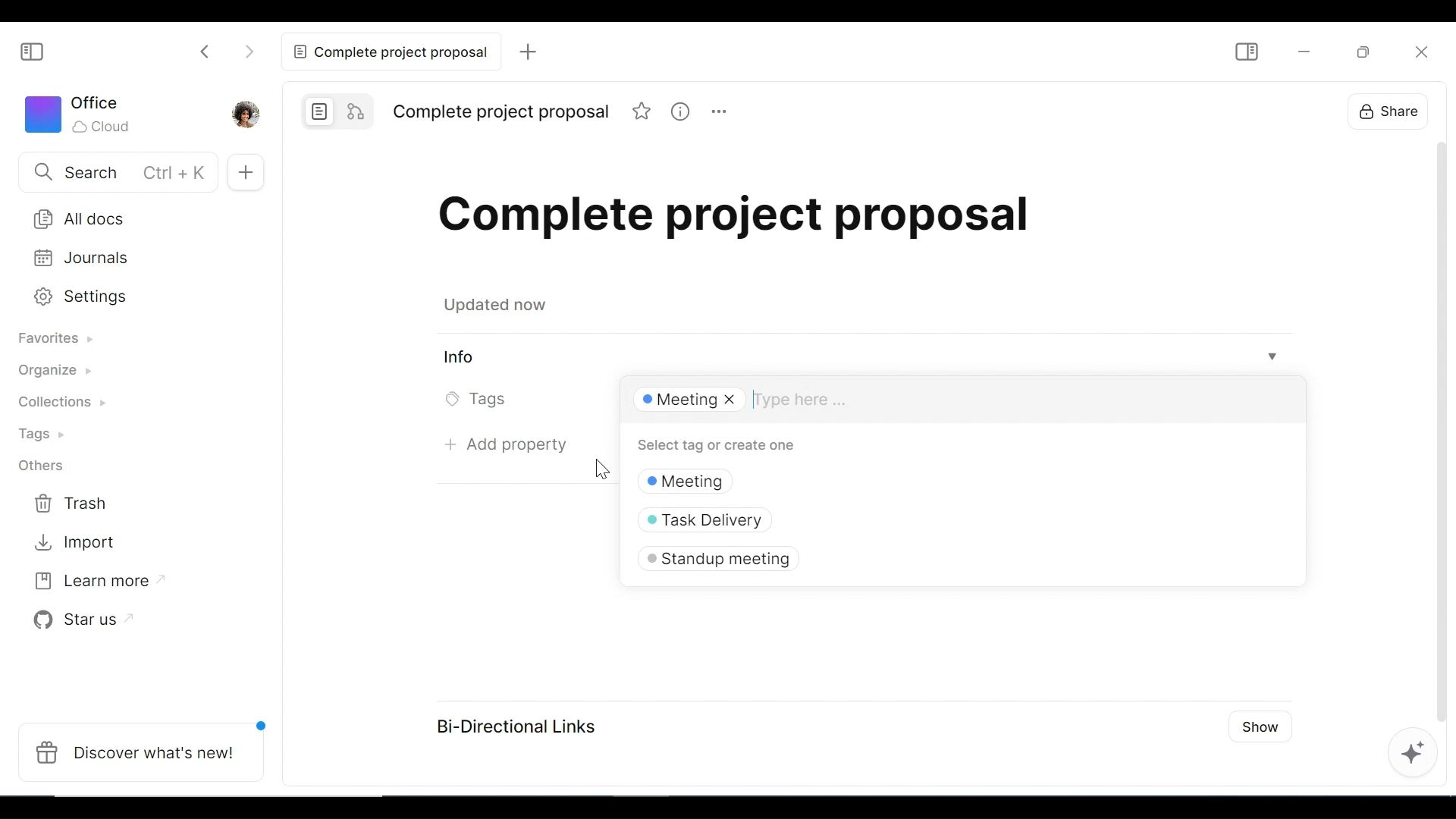  Describe the element at coordinates (199, 52) in the screenshot. I see `Click to go back` at that location.